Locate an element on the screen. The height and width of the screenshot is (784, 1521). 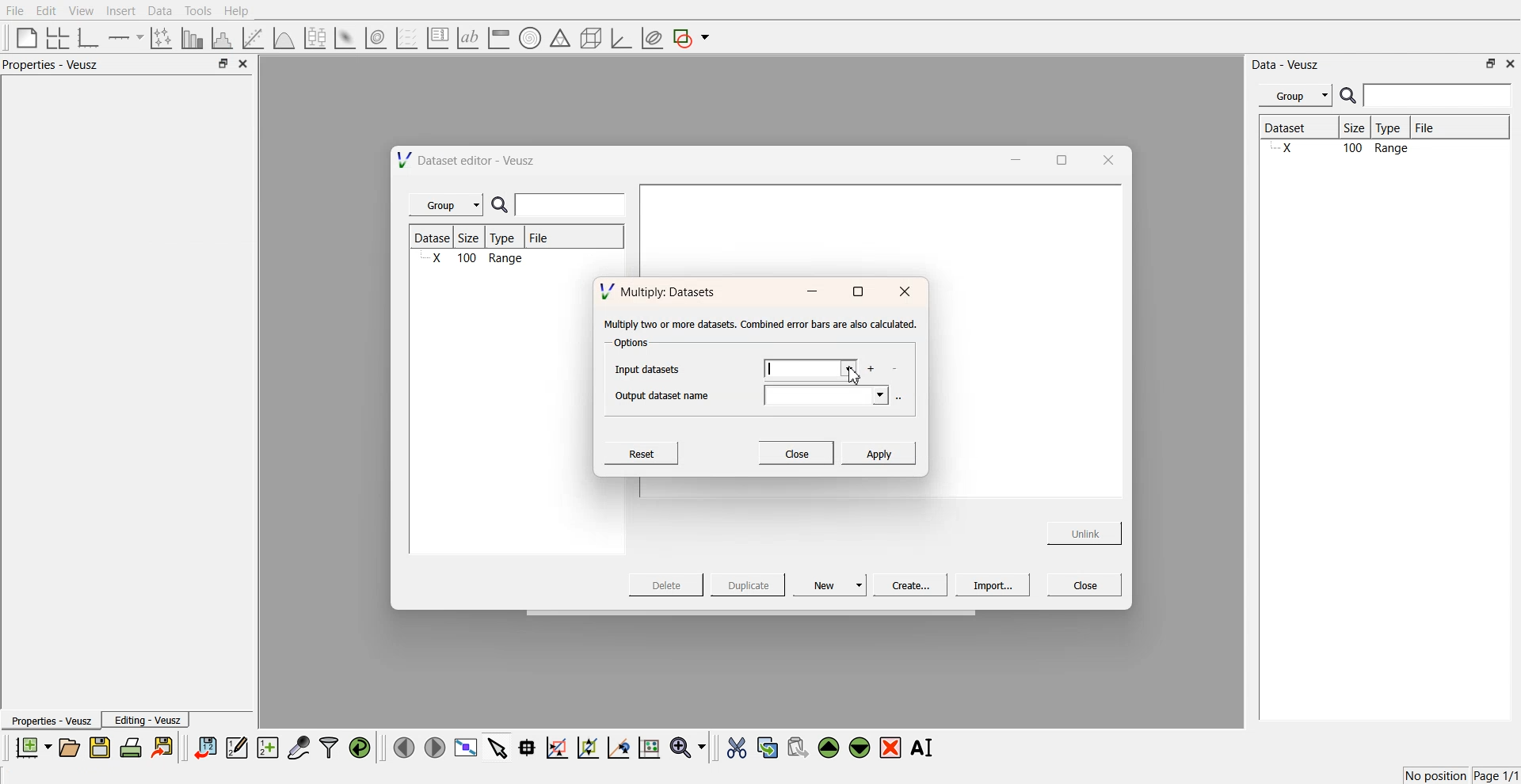
recenter the graph axes is located at coordinates (618, 747).